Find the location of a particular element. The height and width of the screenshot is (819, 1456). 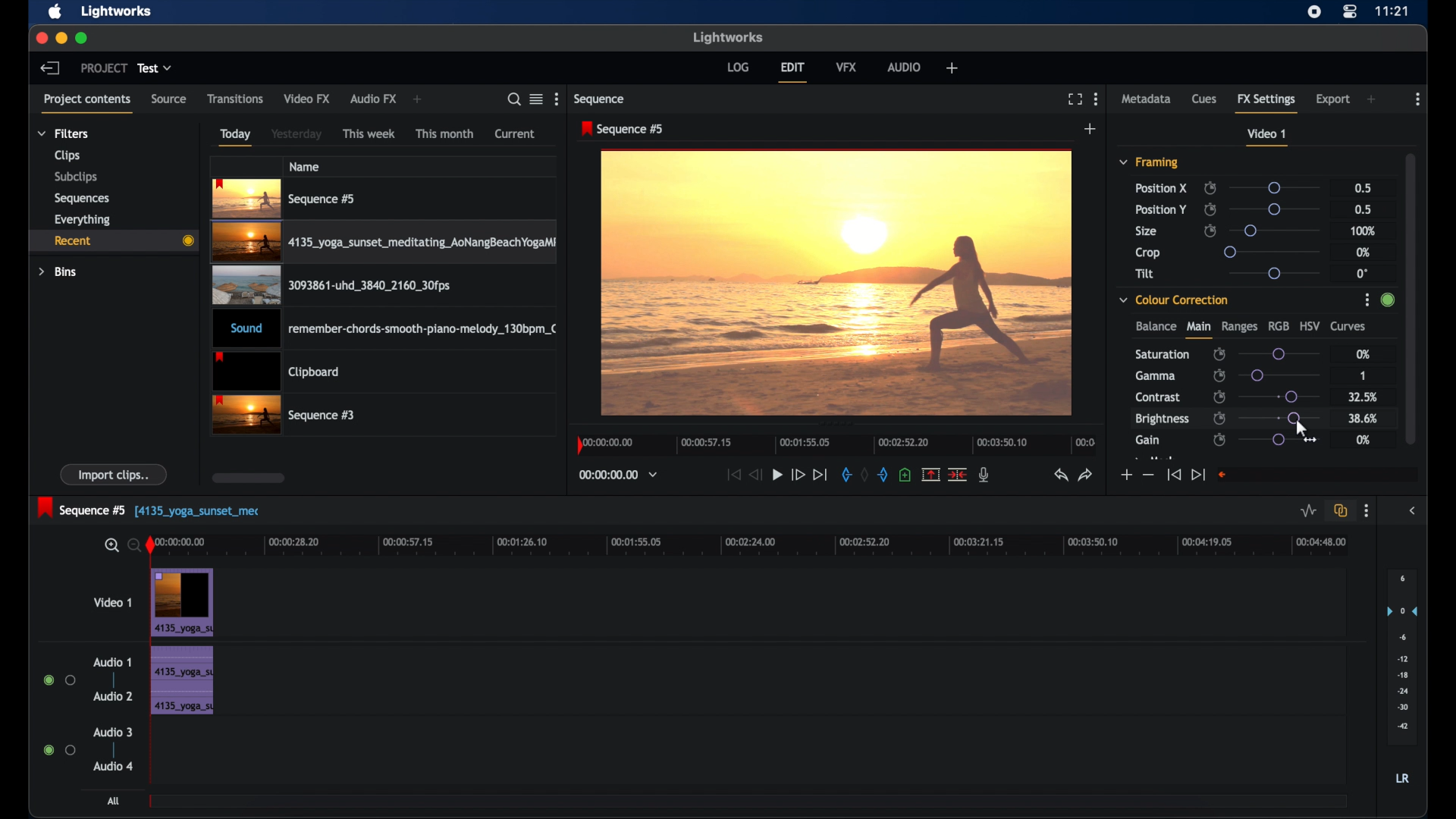

audio fx is located at coordinates (373, 99).